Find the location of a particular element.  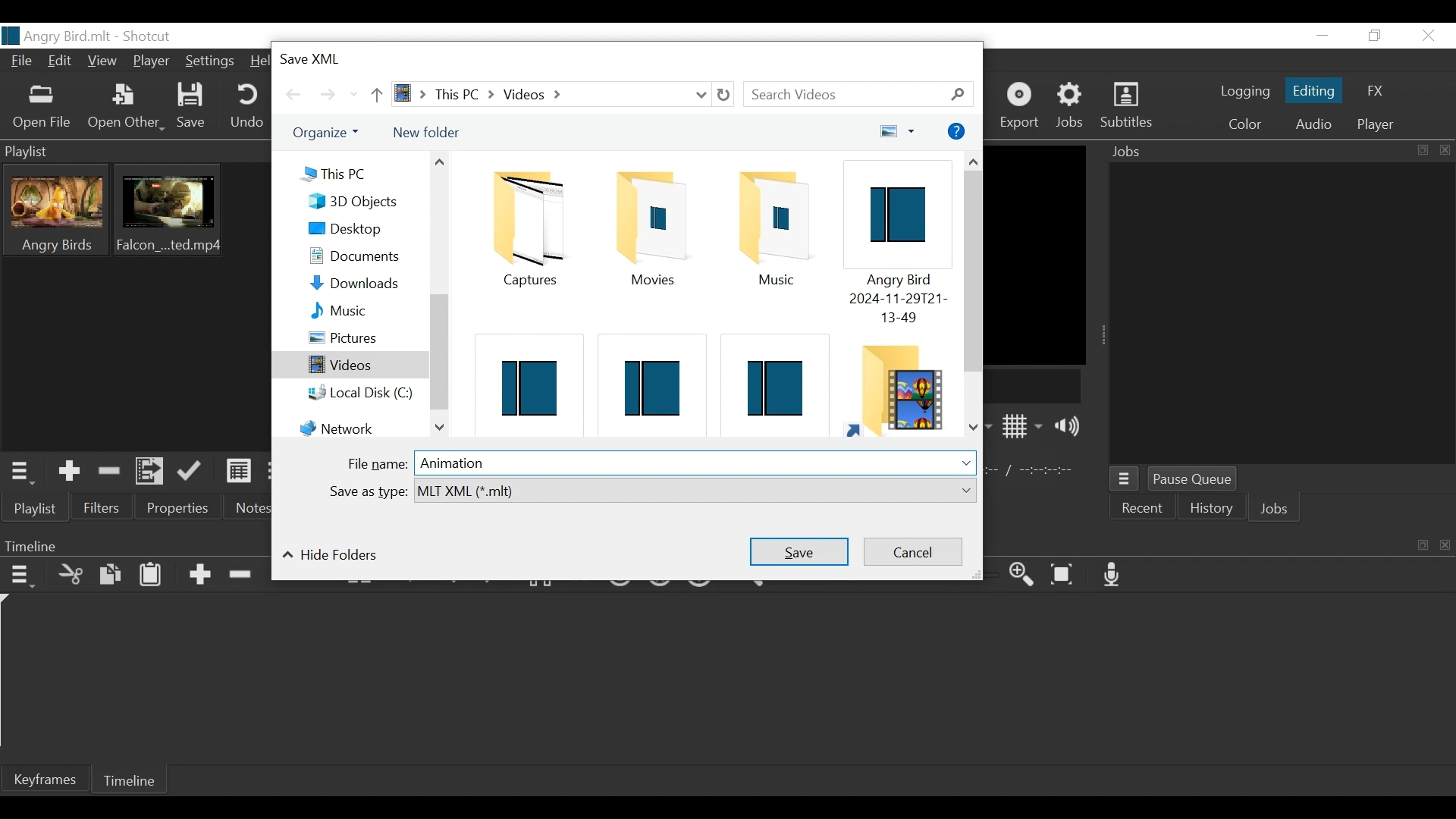

File name is located at coordinates (378, 465).